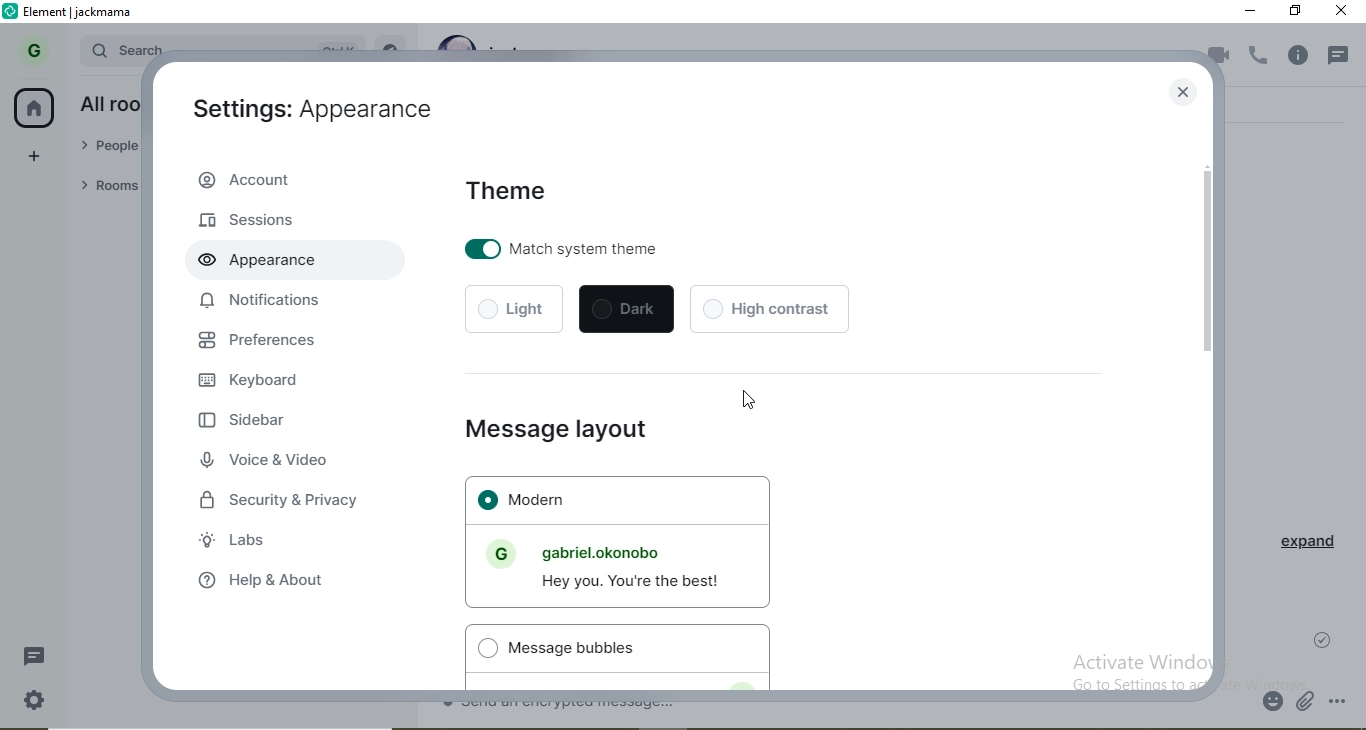 The image size is (1366, 730). Describe the element at coordinates (264, 301) in the screenshot. I see `notifications` at that location.